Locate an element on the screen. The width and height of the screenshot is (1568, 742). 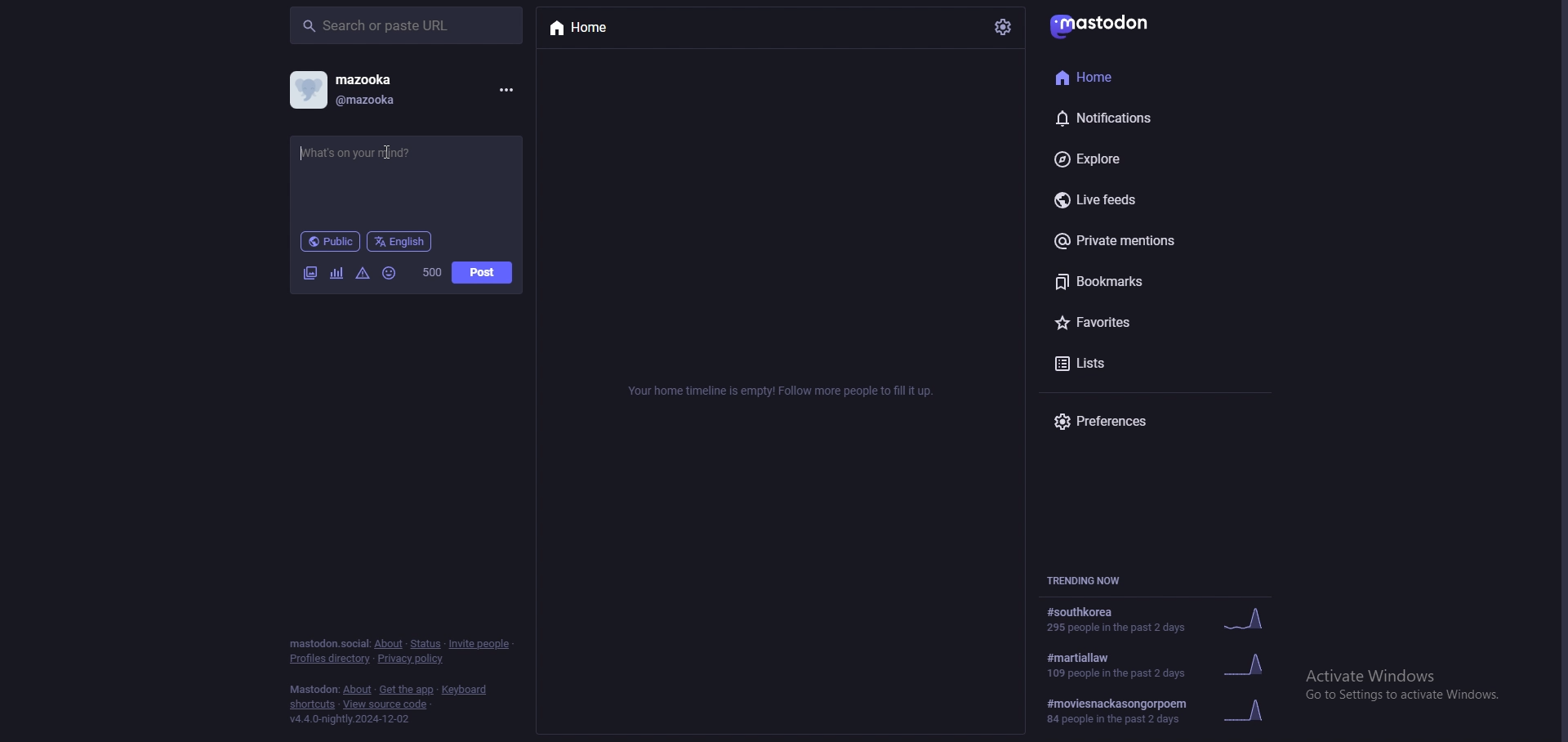
images is located at coordinates (311, 274).